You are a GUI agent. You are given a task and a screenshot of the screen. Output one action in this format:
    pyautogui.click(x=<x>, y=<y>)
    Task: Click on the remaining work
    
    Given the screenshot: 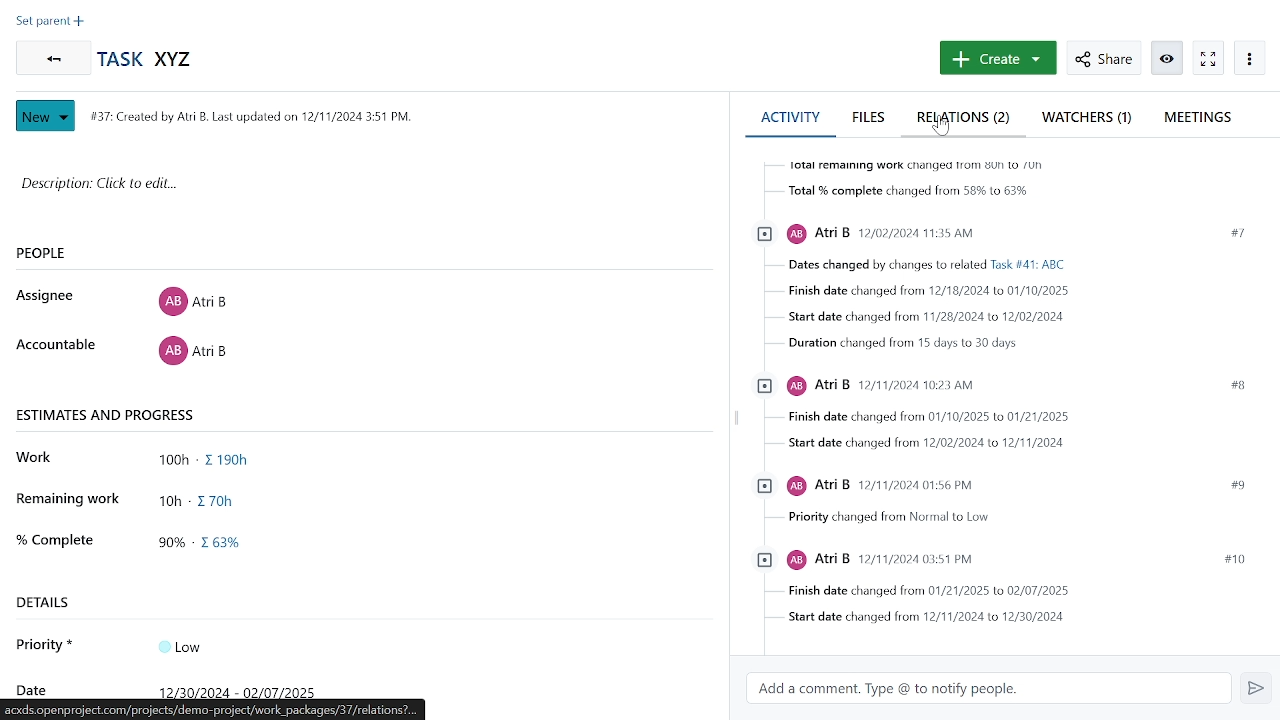 What is the action you would take?
    pyautogui.click(x=206, y=499)
    